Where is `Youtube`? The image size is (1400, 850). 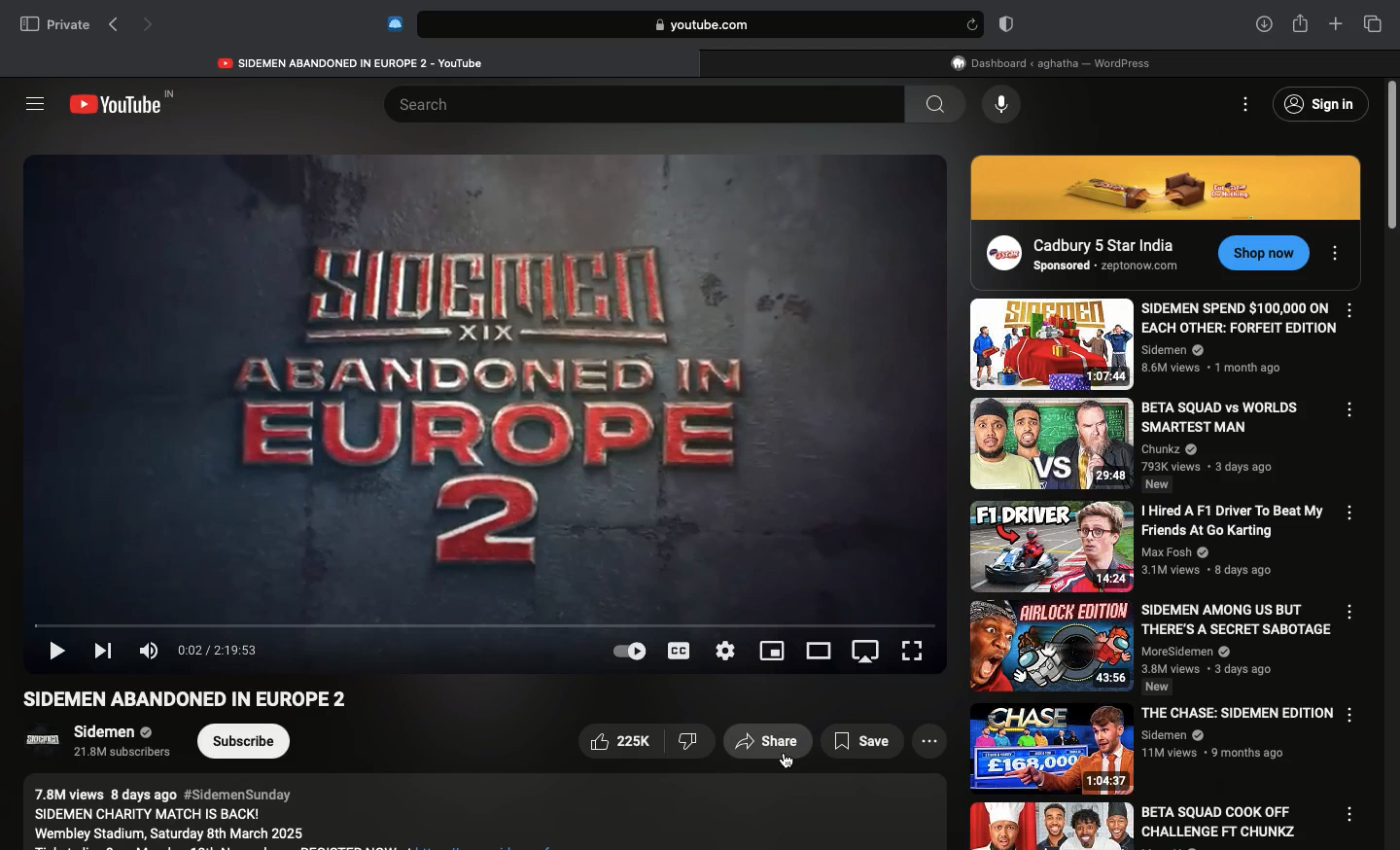 Youtube is located at coordinates (125, 104).